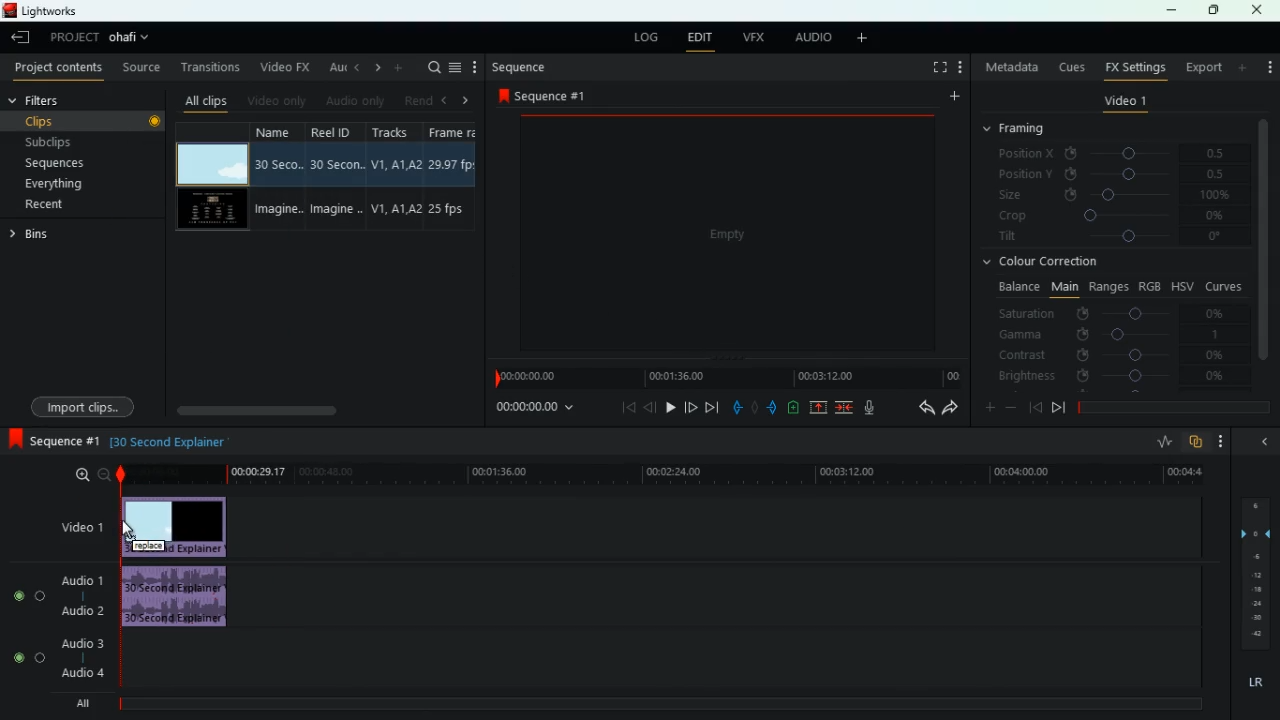  I want to click on back, so click(922, 409).